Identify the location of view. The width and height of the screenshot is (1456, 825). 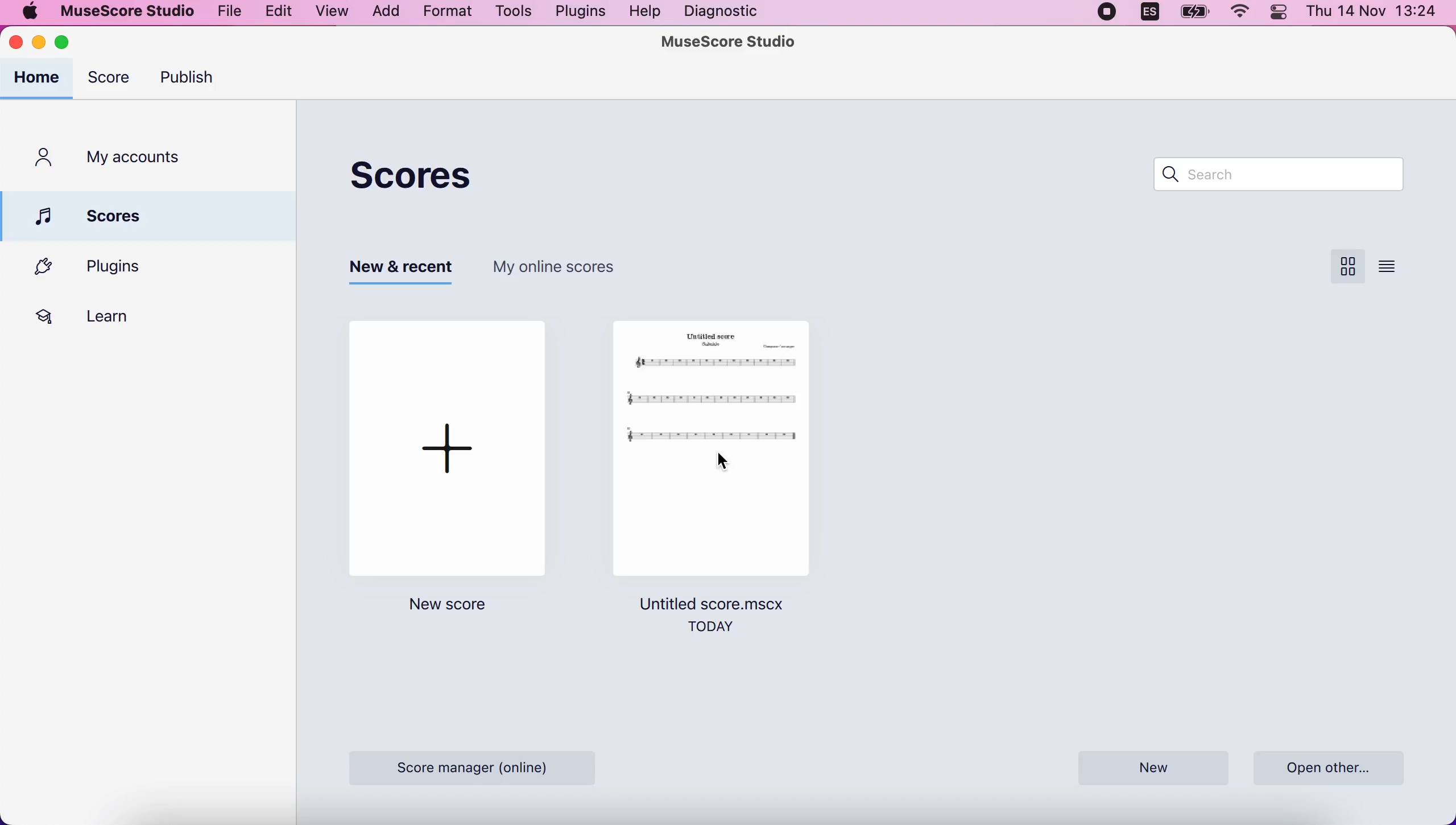
(330, 13).